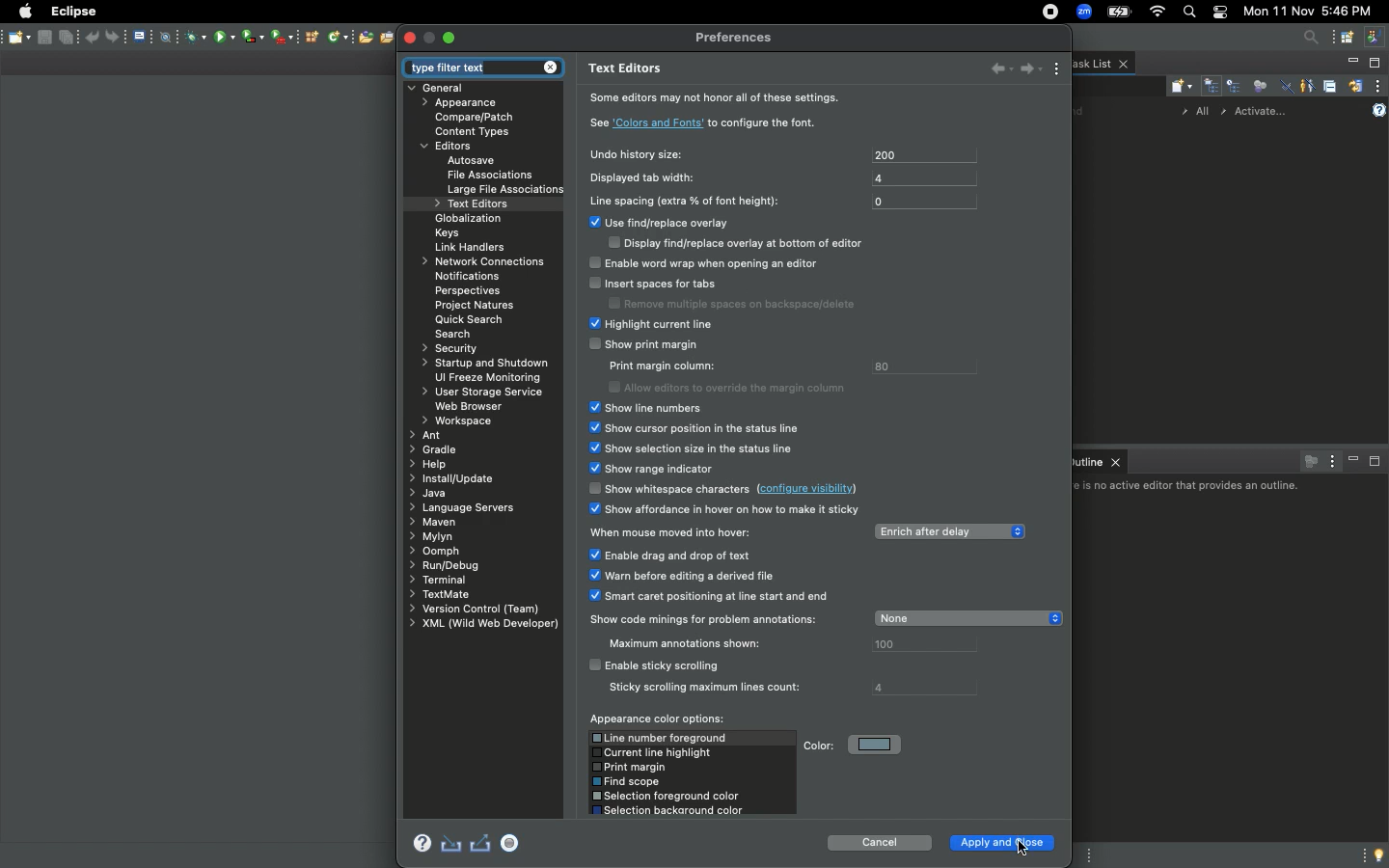 The width and height of the screenshot is (1389, 868). Describe the element at coordinates (470, 318) in the screenshot. I see `Quick search` at that location.